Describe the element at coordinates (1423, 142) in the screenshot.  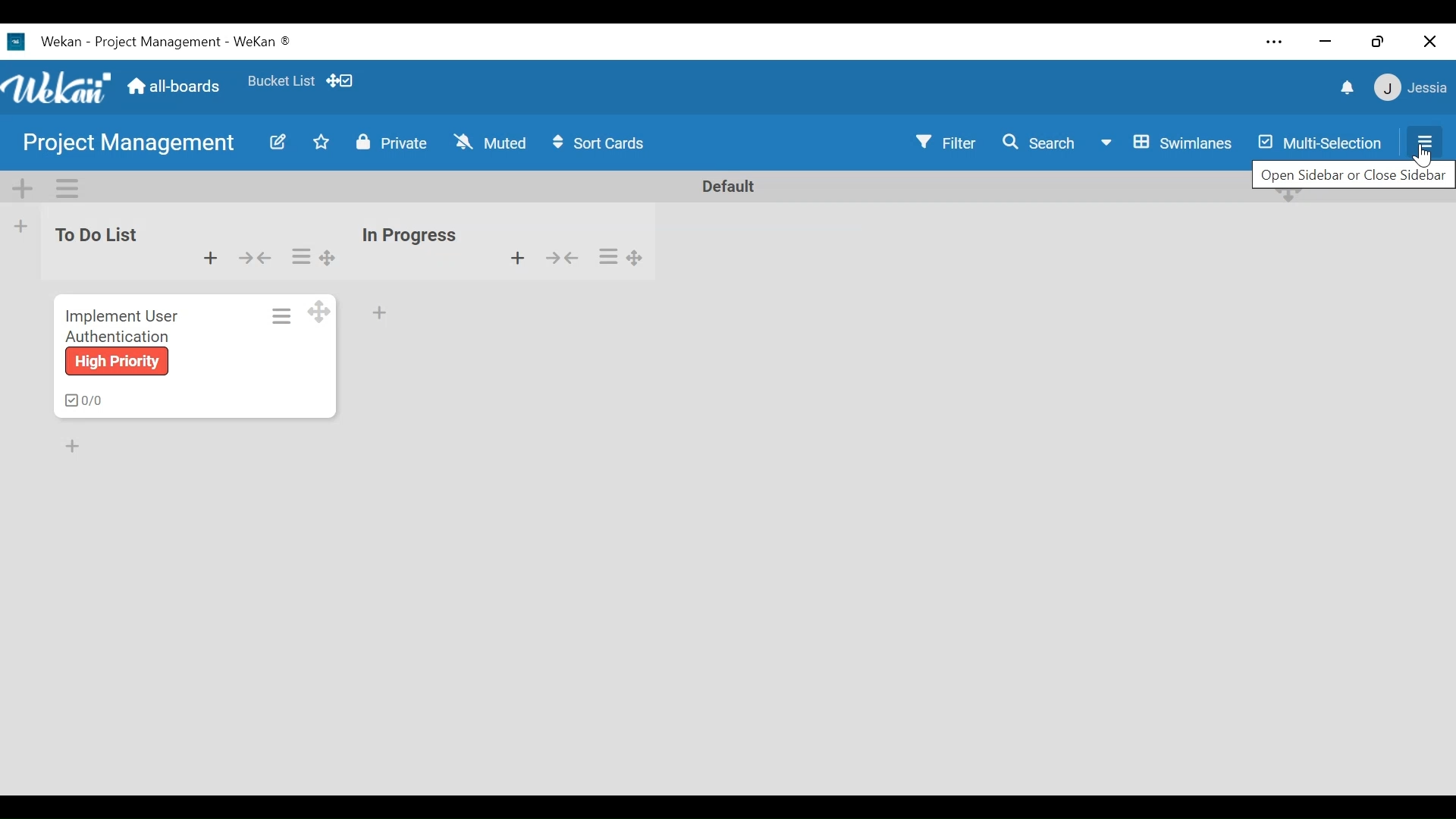
I see `Open/Close Sidebar` at that location.